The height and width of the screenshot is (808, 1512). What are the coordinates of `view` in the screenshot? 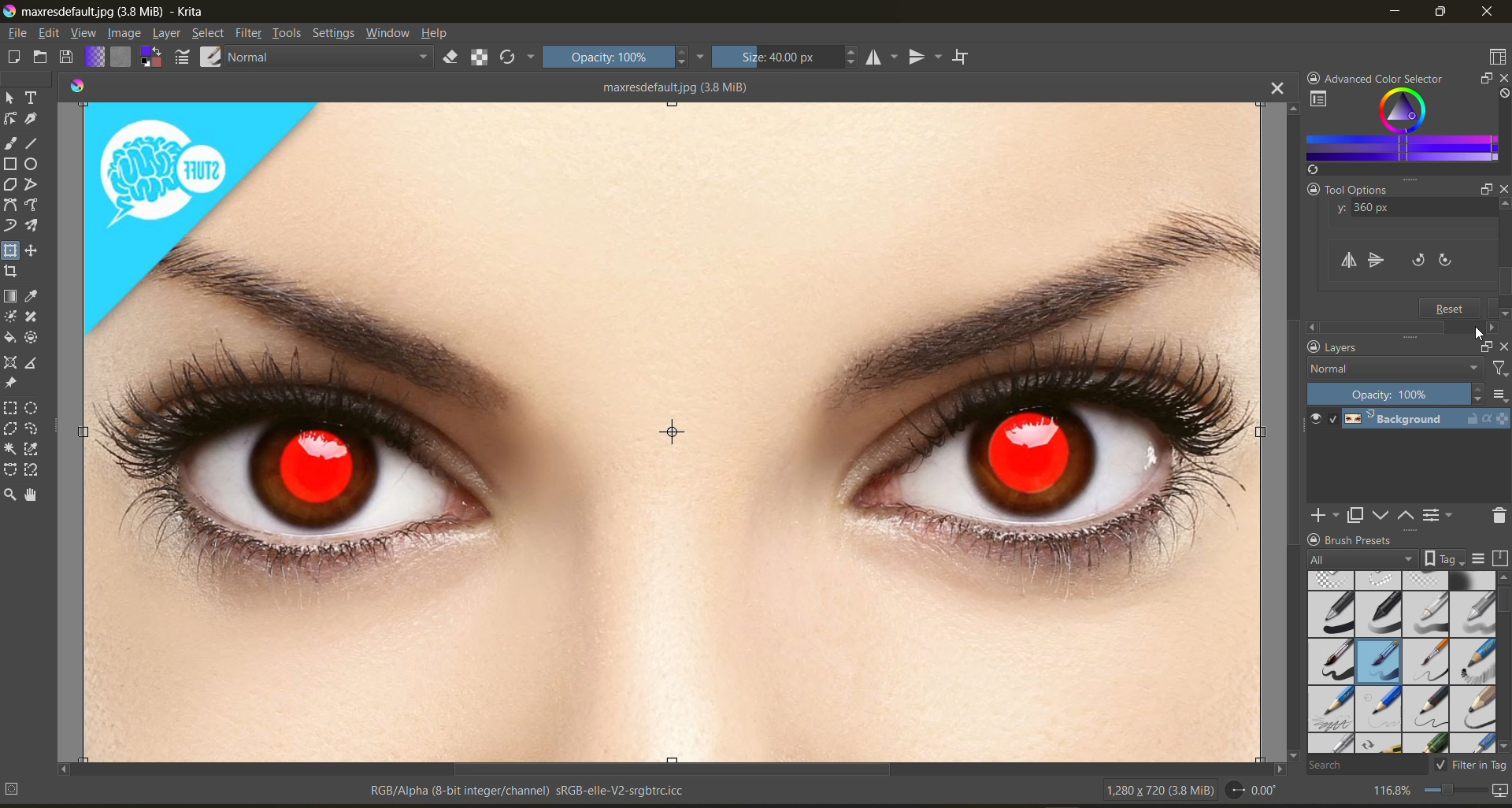 It's located at (86, 35).